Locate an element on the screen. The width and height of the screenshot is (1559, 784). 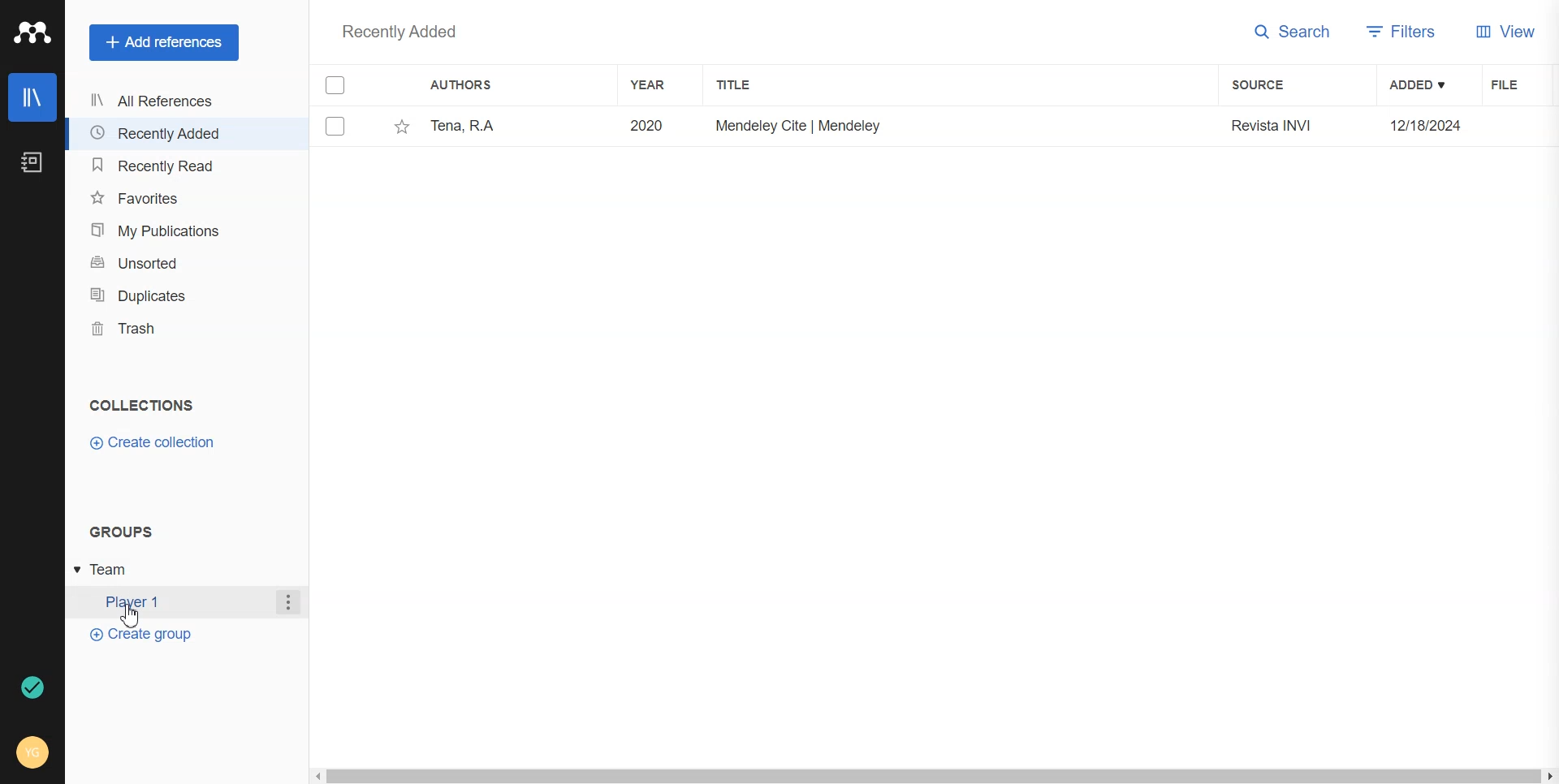
Create group is located at coordinates (142, 635).